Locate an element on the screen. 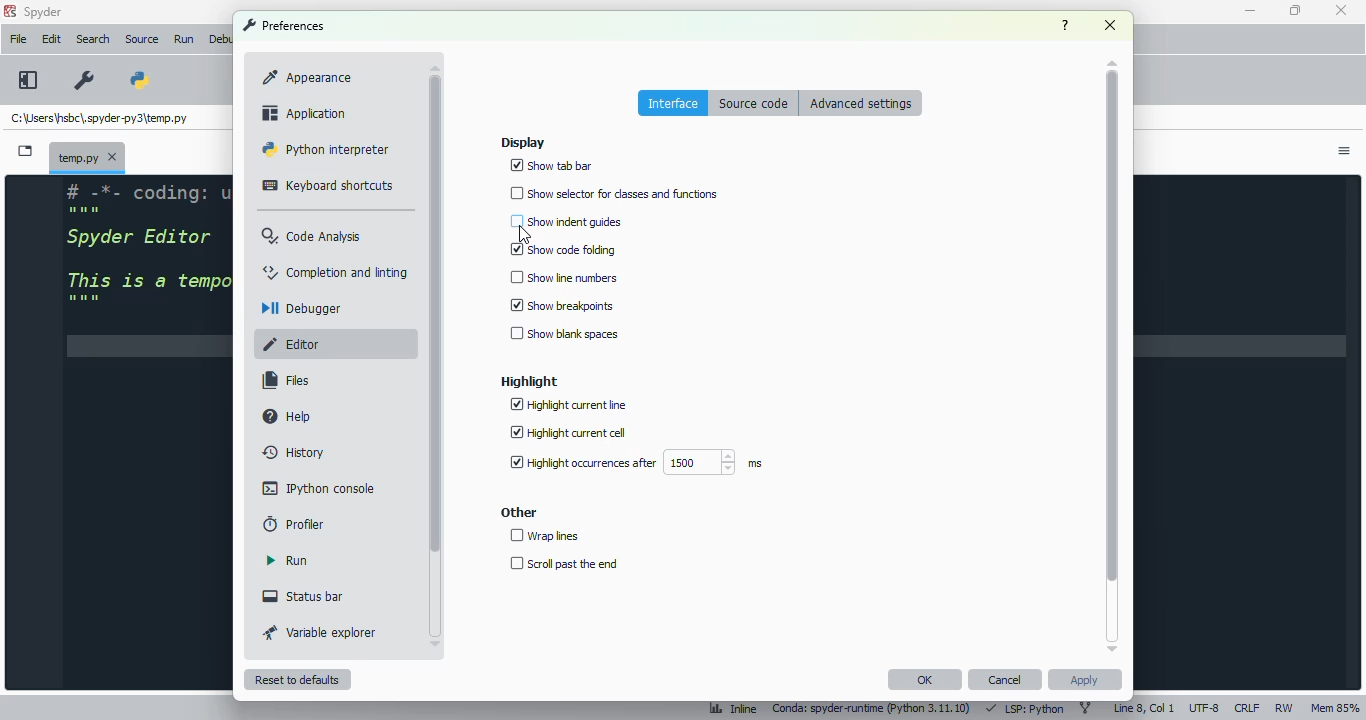  options is located at coordinates (1345, 152).